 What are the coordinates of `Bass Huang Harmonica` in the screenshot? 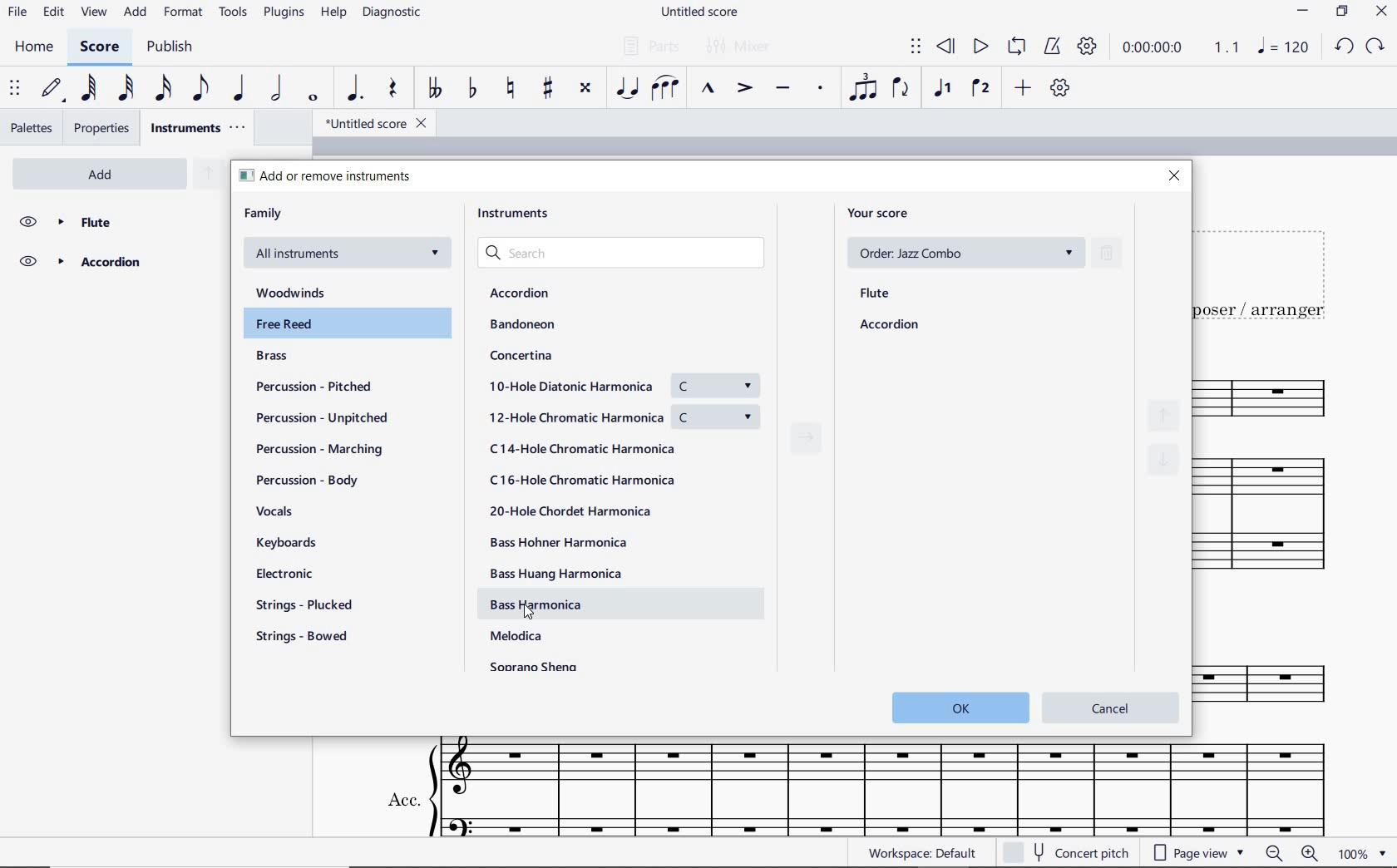 It's located at (553, 574).